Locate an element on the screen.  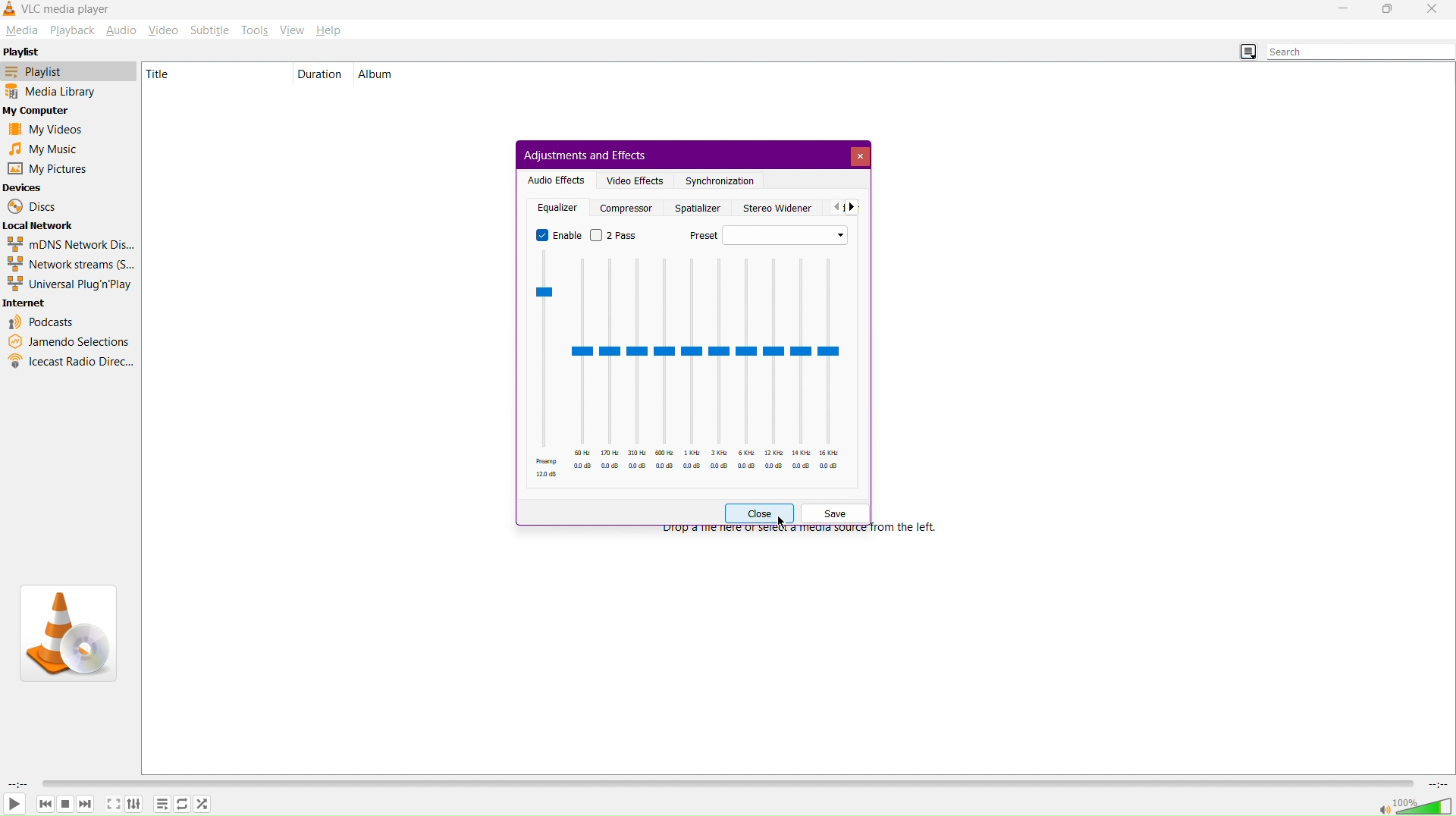
310 Hz is located at coordinates (638, 362).